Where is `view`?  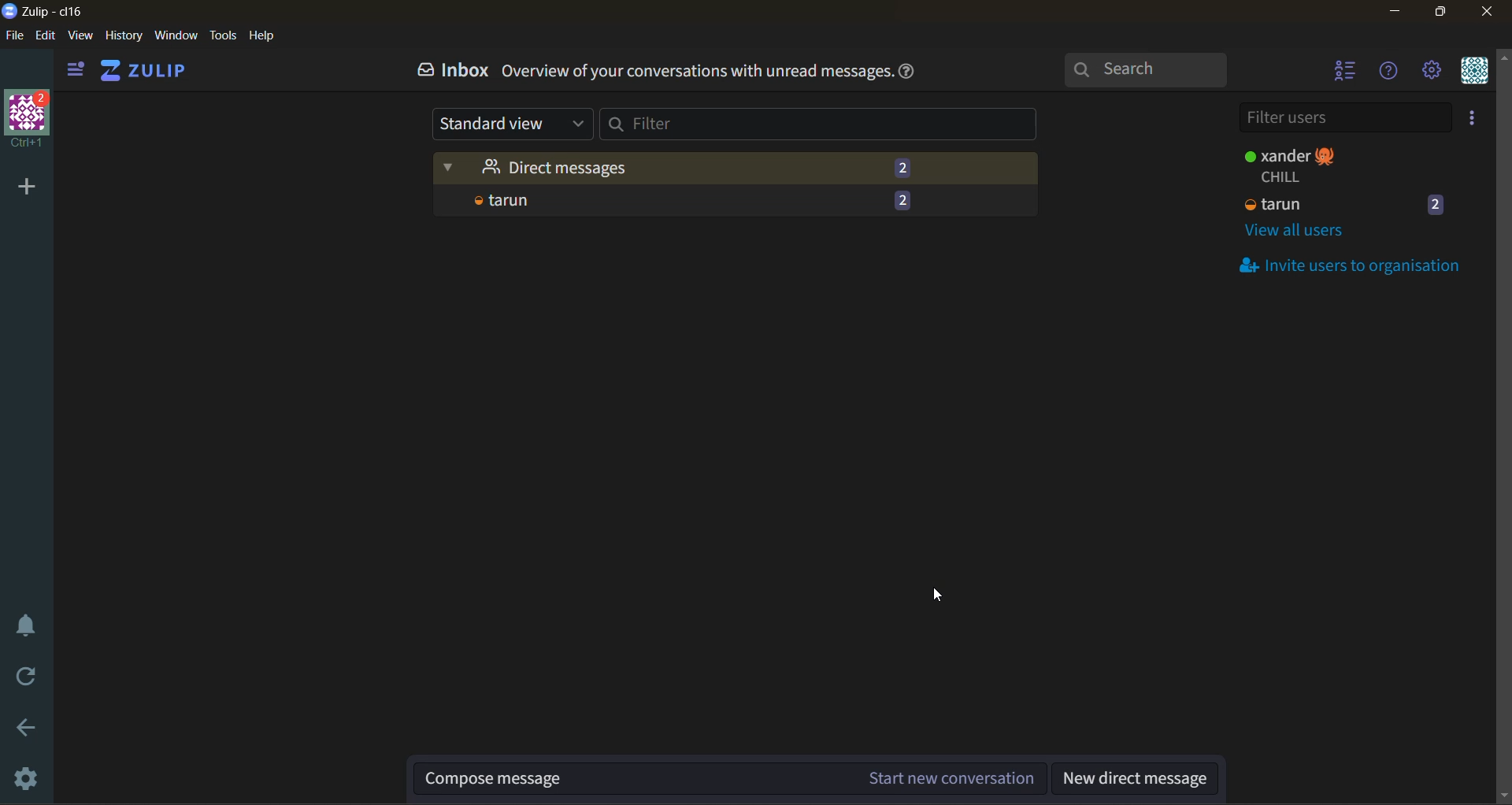
view is located at coordinates (85, 36).